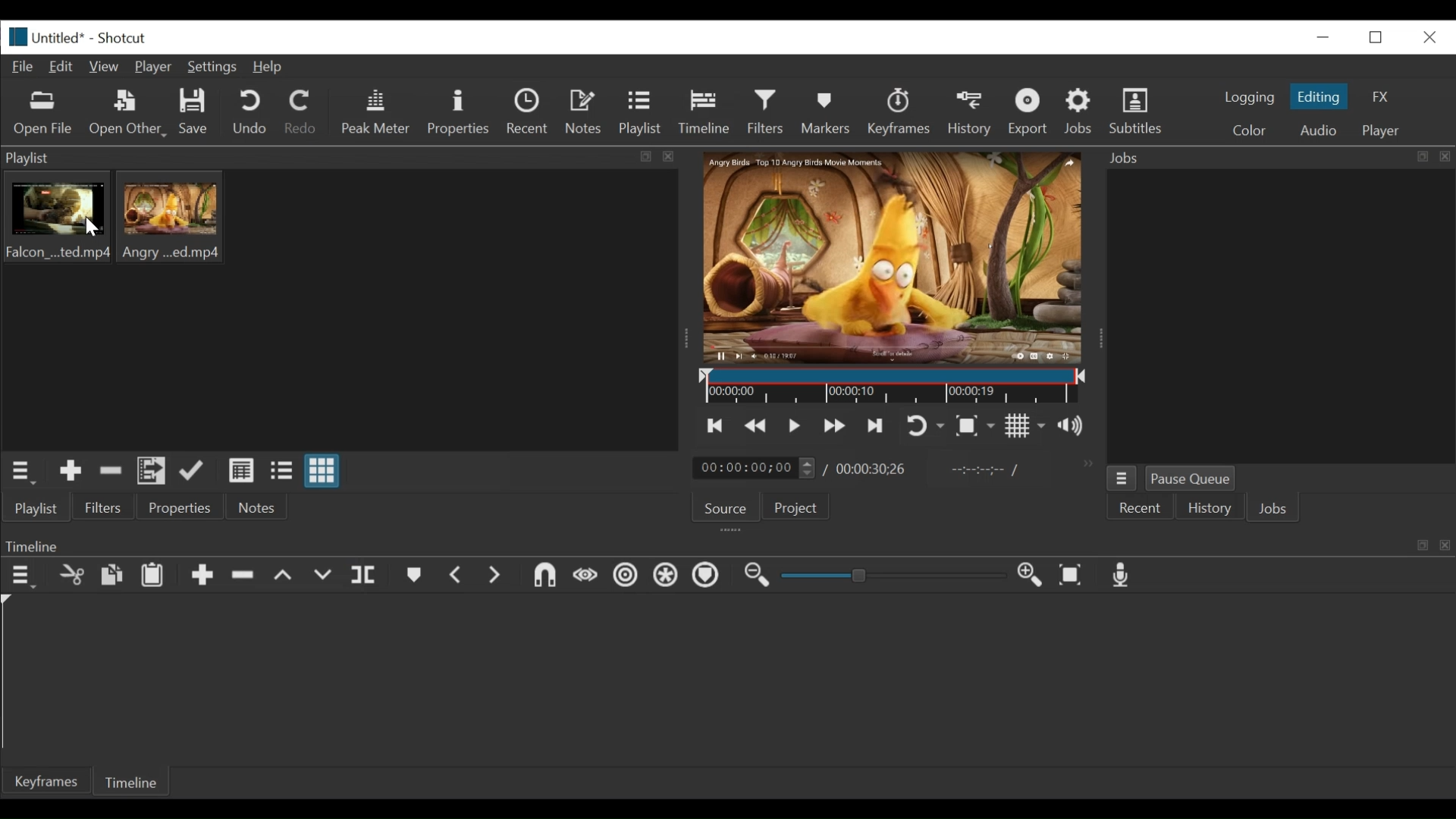  What do you see at coordinates (1032, 576) in the screenshot?
I see `Zoom in` at bounding box center [1032, 576].